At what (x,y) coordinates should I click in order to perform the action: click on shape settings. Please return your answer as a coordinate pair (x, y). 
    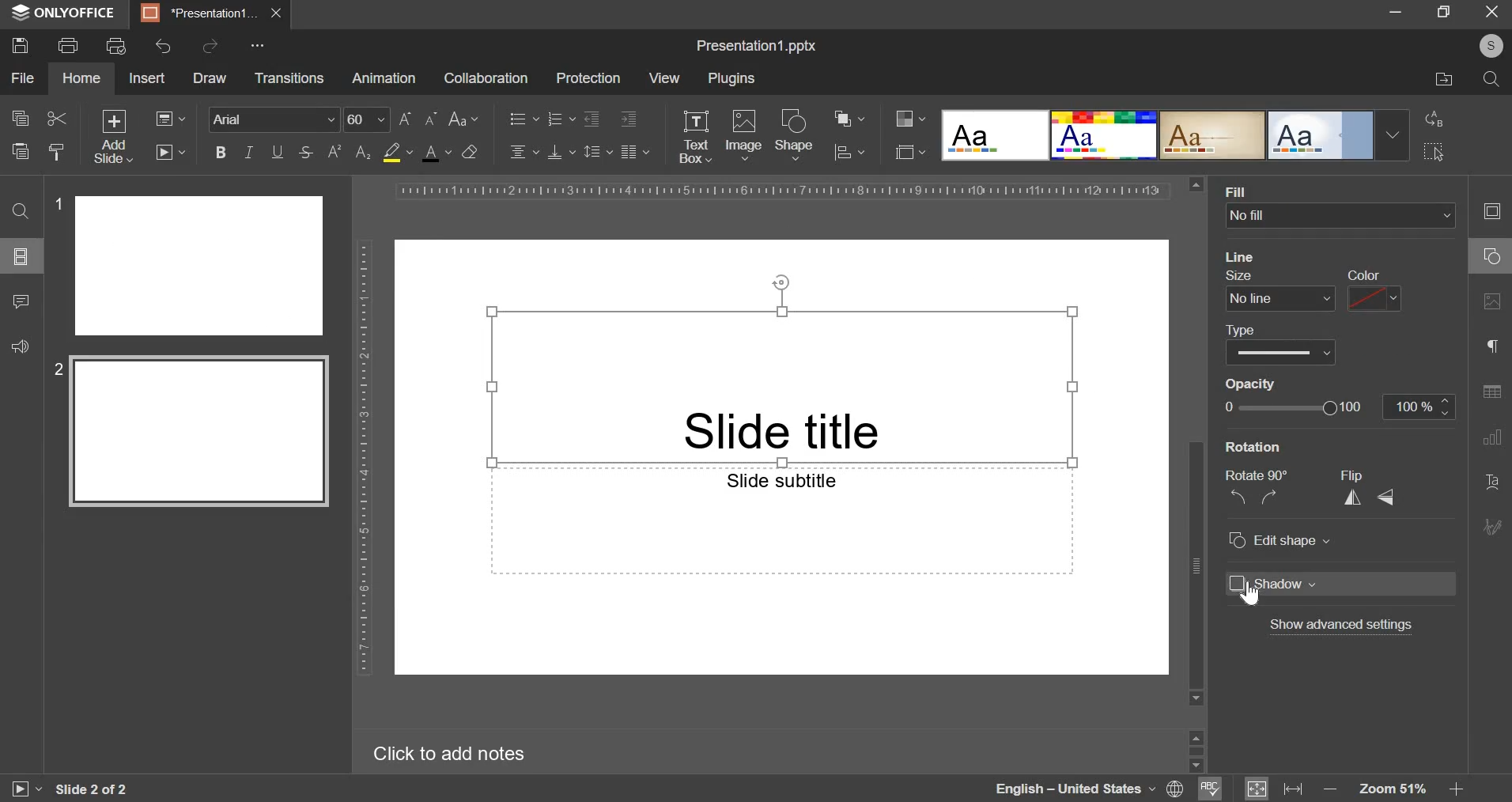
    Looking at the image, I should click on (1488, 257).